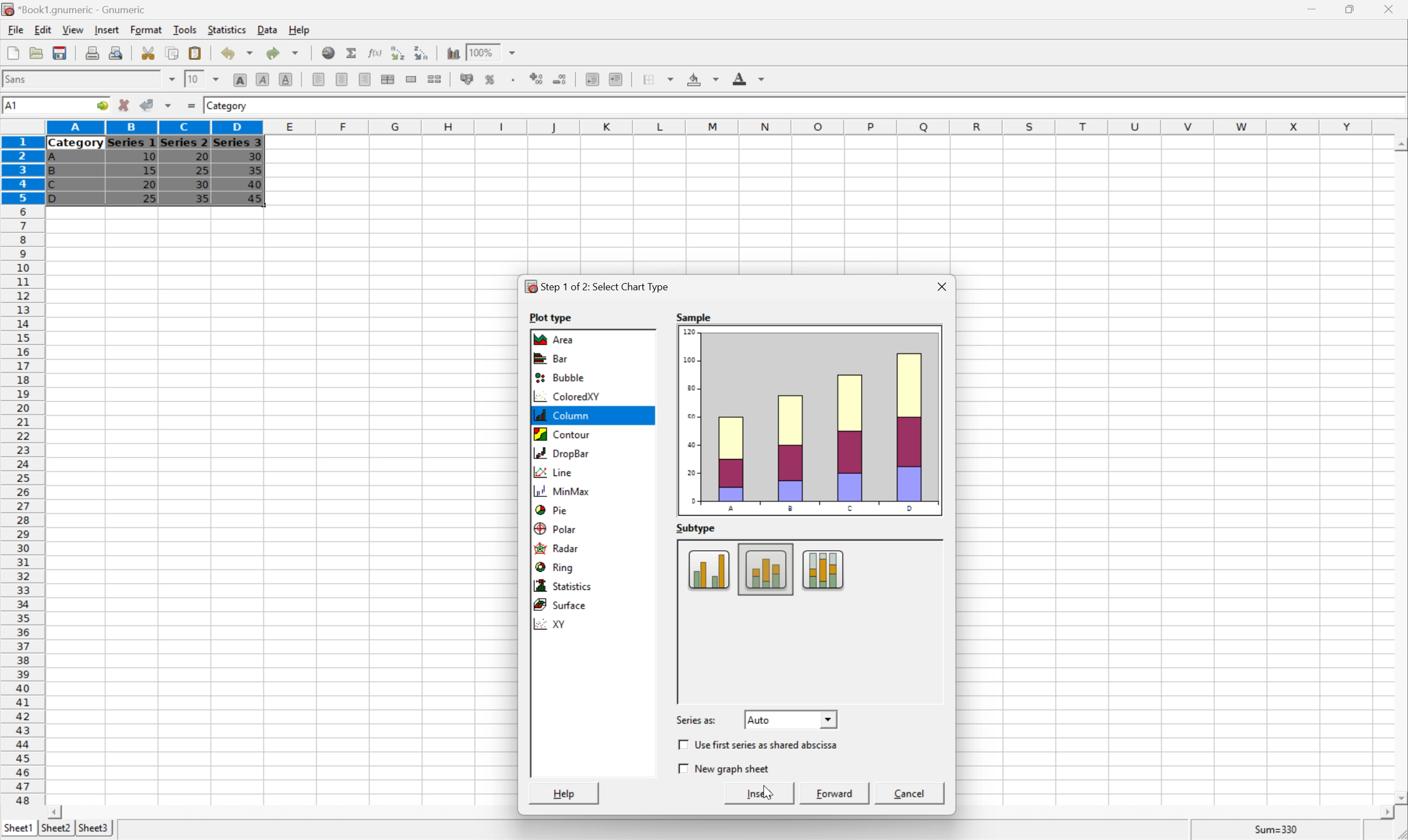 The height and width of the screenshot is (840, 1408). I want to click on Sheet2, so click(55, 828).